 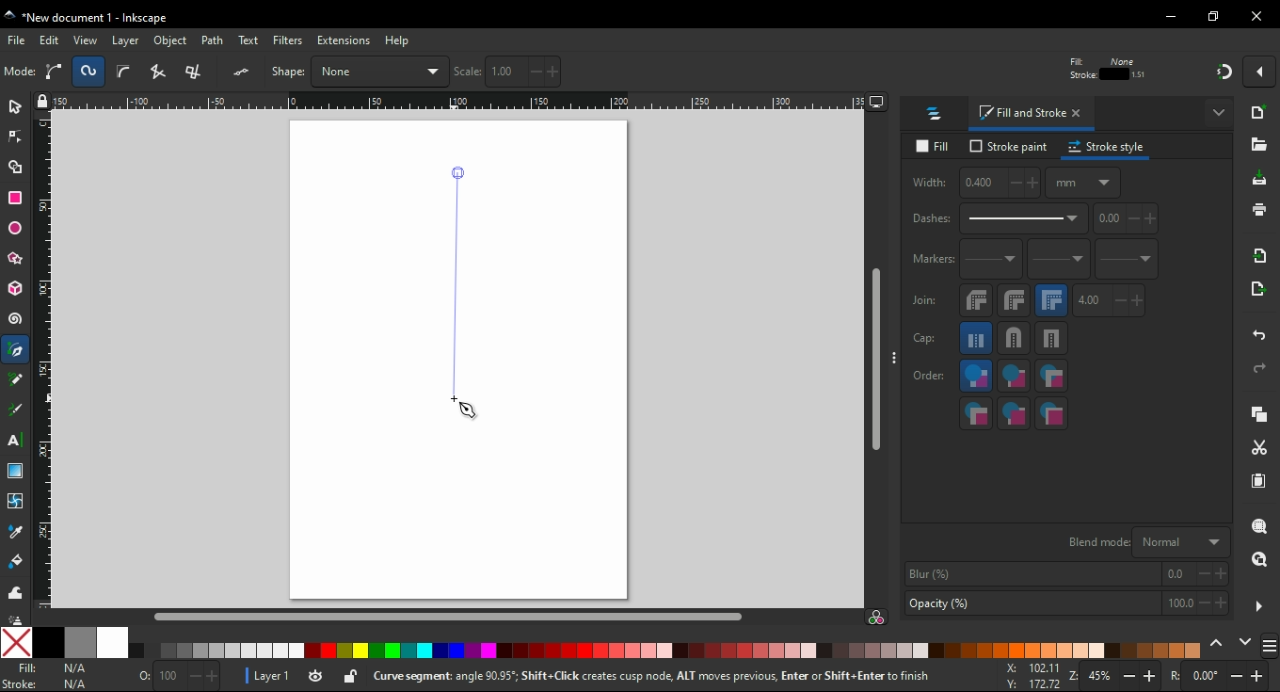 I want to click on order, so click(x=929, y=374).